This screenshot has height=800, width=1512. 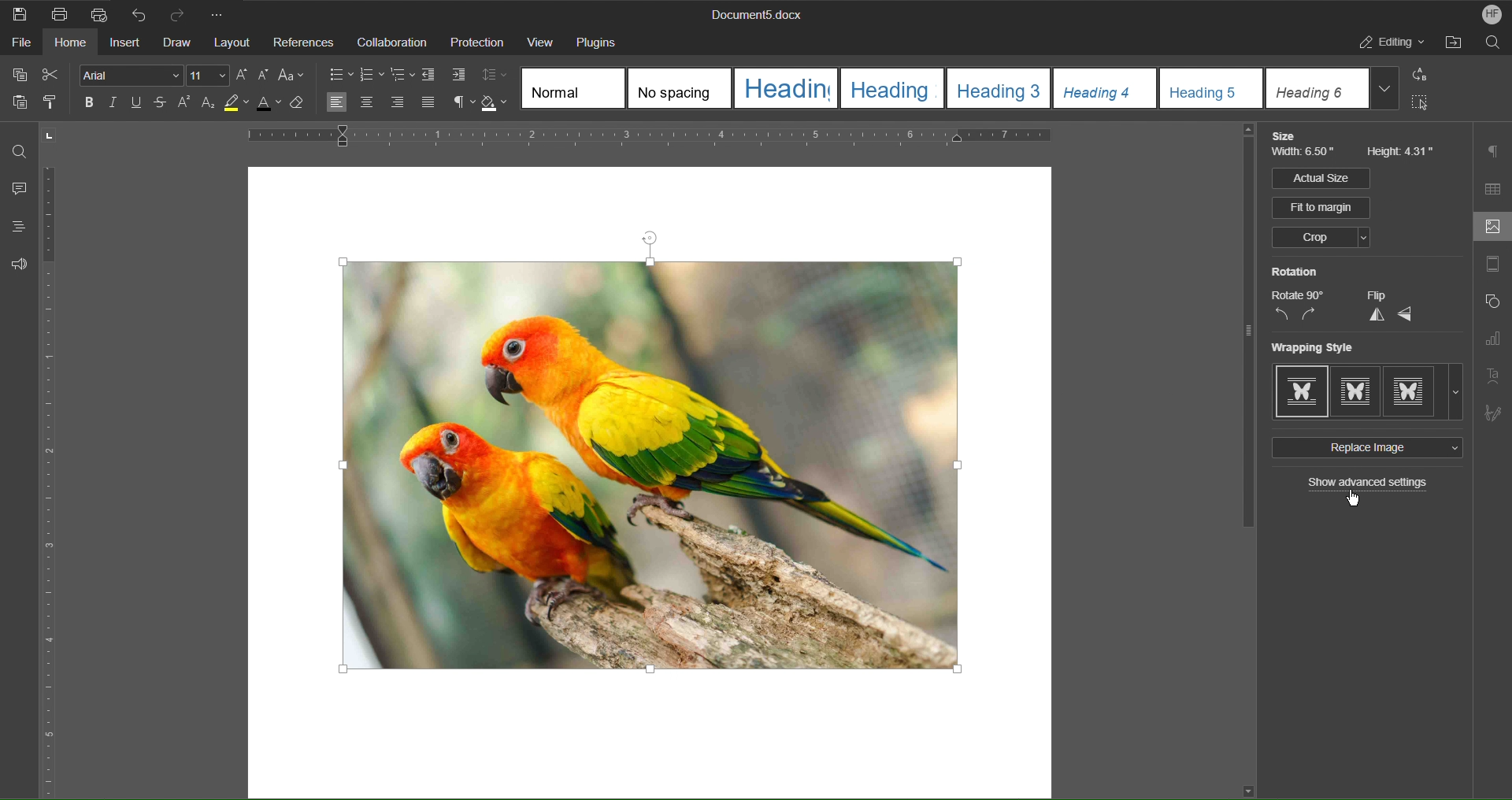 I want to click on Document Title, so click(x=754, y=16).